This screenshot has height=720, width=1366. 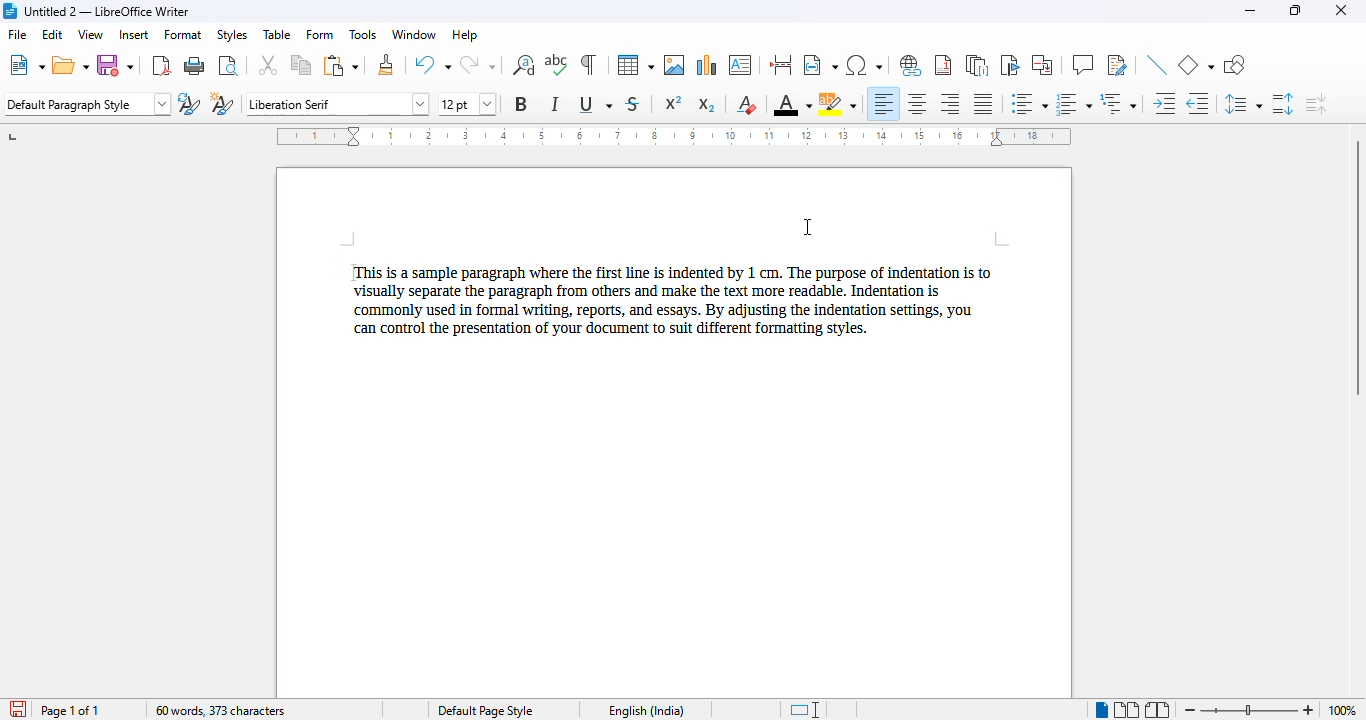 What do you see at coordinates (90, 34) in the screenshot?
I see `view` at bounding box center [90, 34].